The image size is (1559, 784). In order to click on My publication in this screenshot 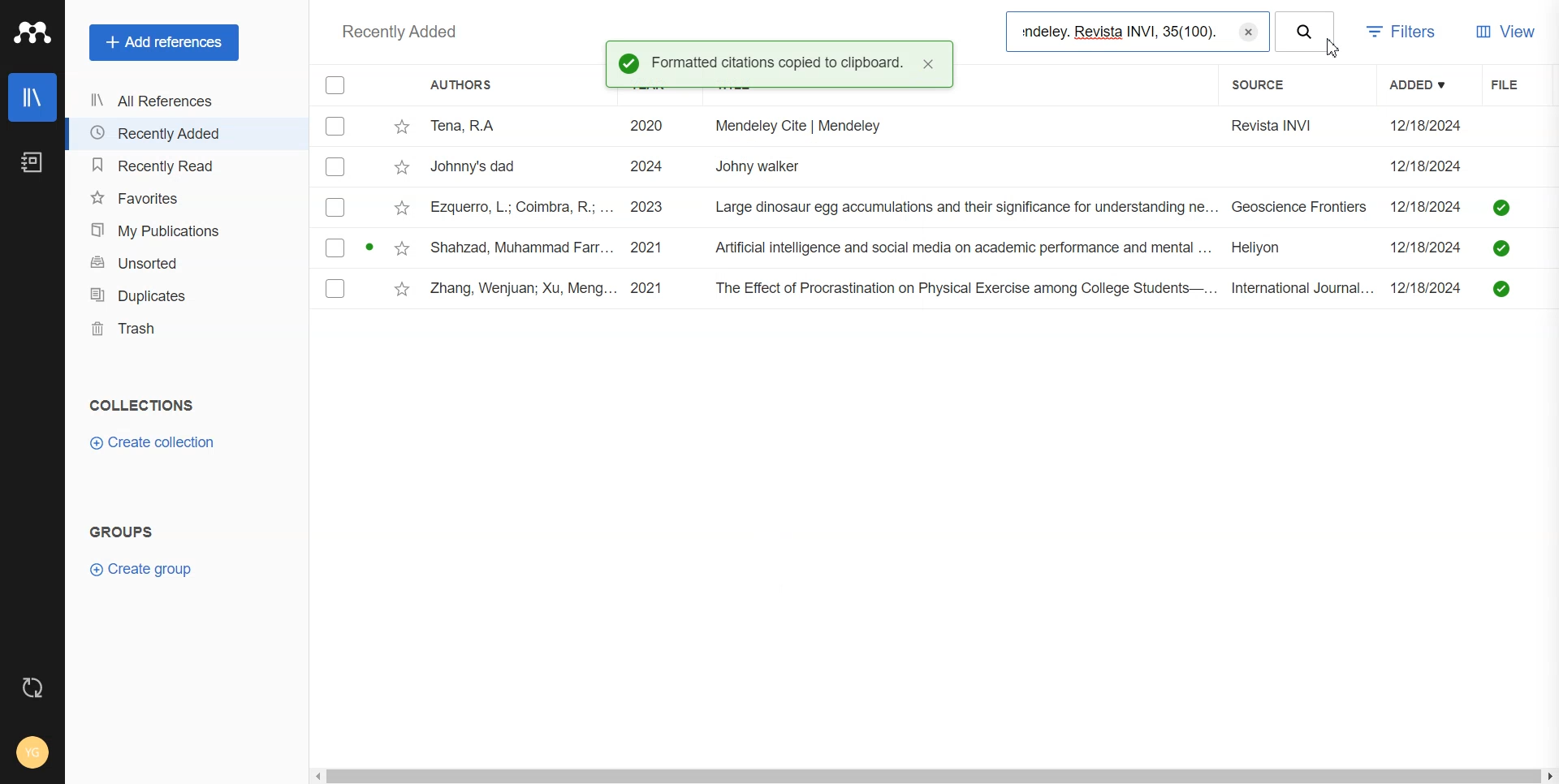, I will do `click(187, 230)`.